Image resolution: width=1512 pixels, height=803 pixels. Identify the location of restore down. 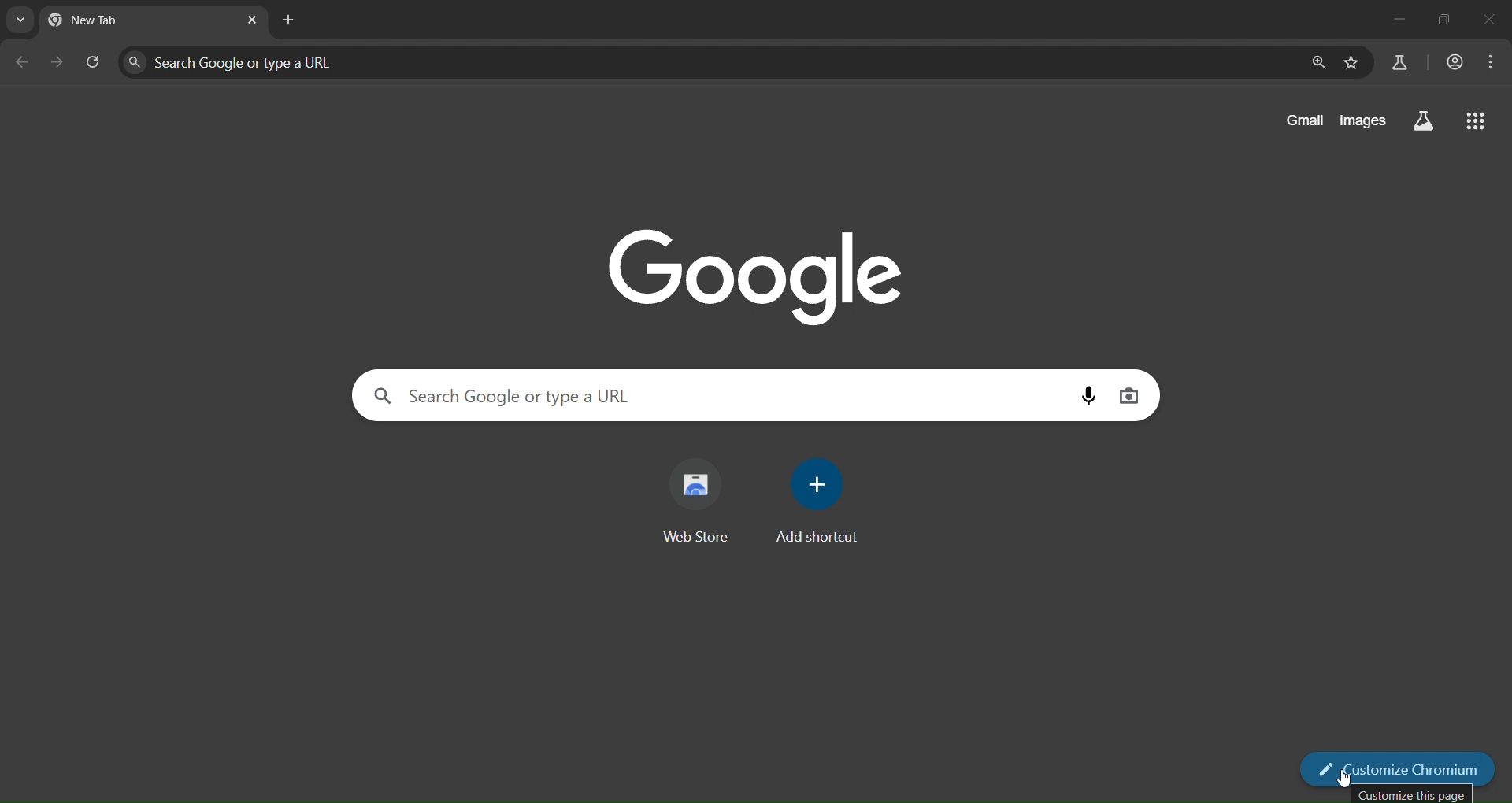
(1437, 18).